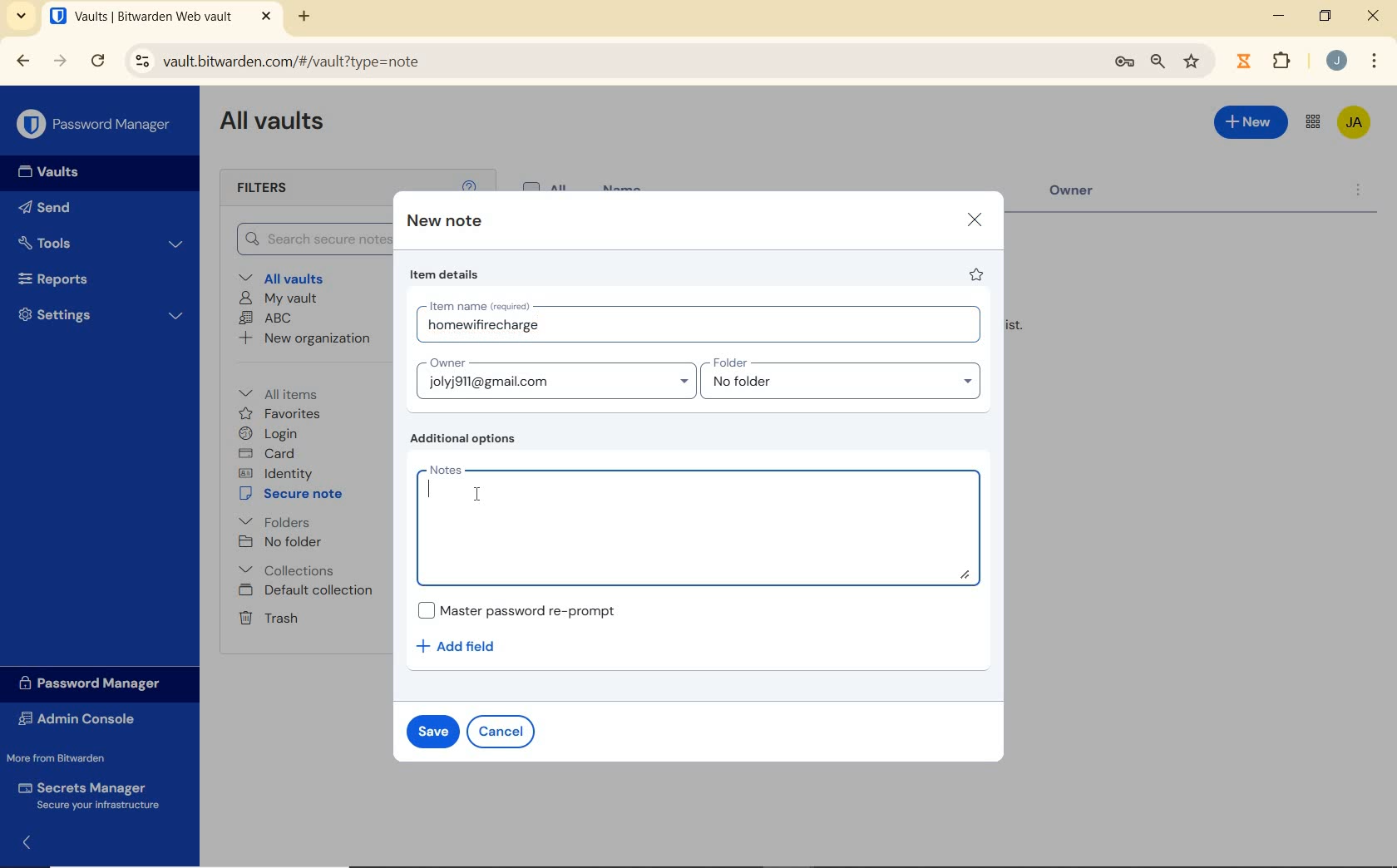  I want to click on favorites, so click(280, 414).